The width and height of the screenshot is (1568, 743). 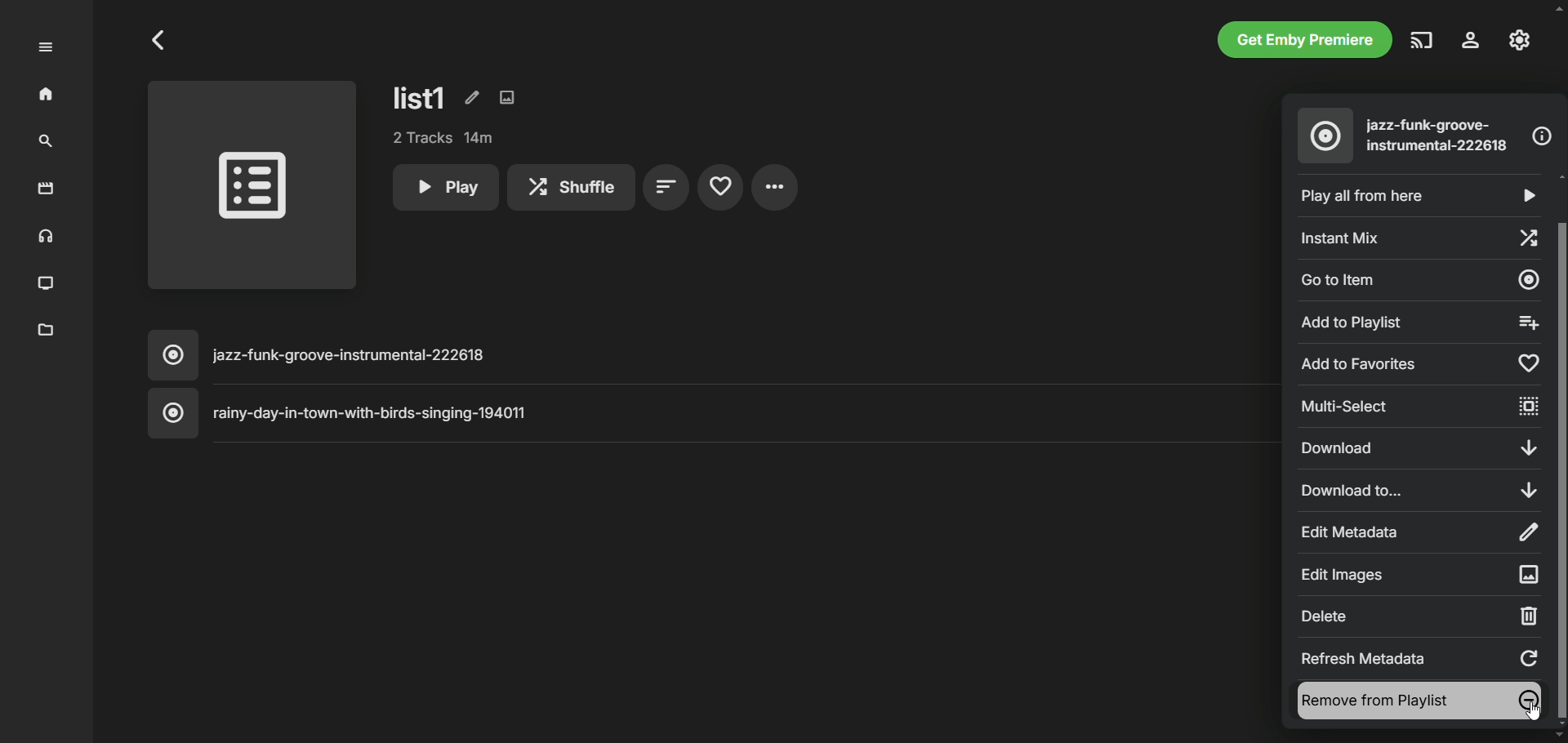 What do you see at coordinates (43, 238) in the screenshot?
I see `music` at bounding box center [43, 238].